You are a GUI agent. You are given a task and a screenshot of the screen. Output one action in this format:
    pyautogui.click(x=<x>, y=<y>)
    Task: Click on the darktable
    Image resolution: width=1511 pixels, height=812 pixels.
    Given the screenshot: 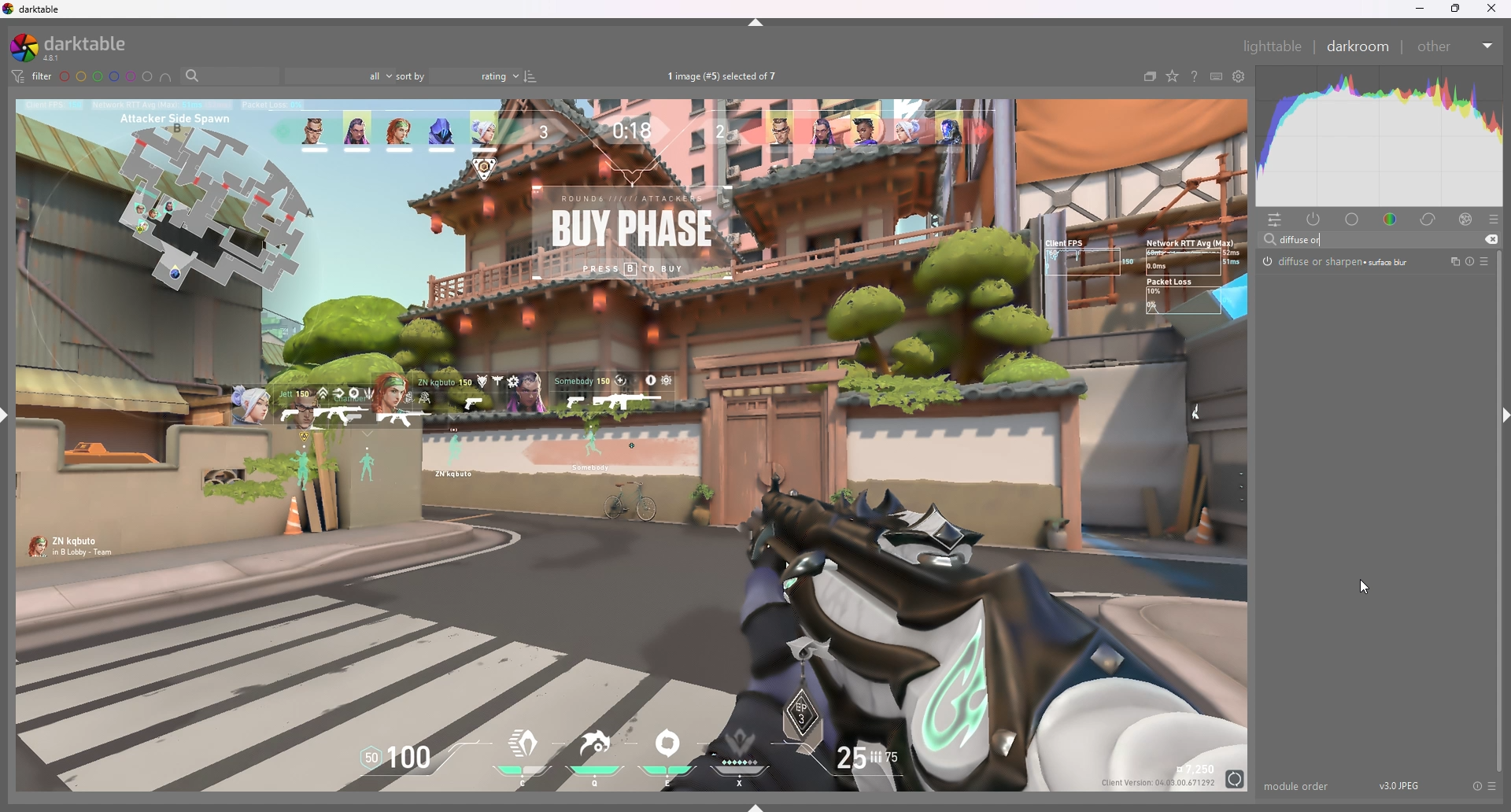 What is the action you would take?
    pyautogui.click(x=73, y=47)
    